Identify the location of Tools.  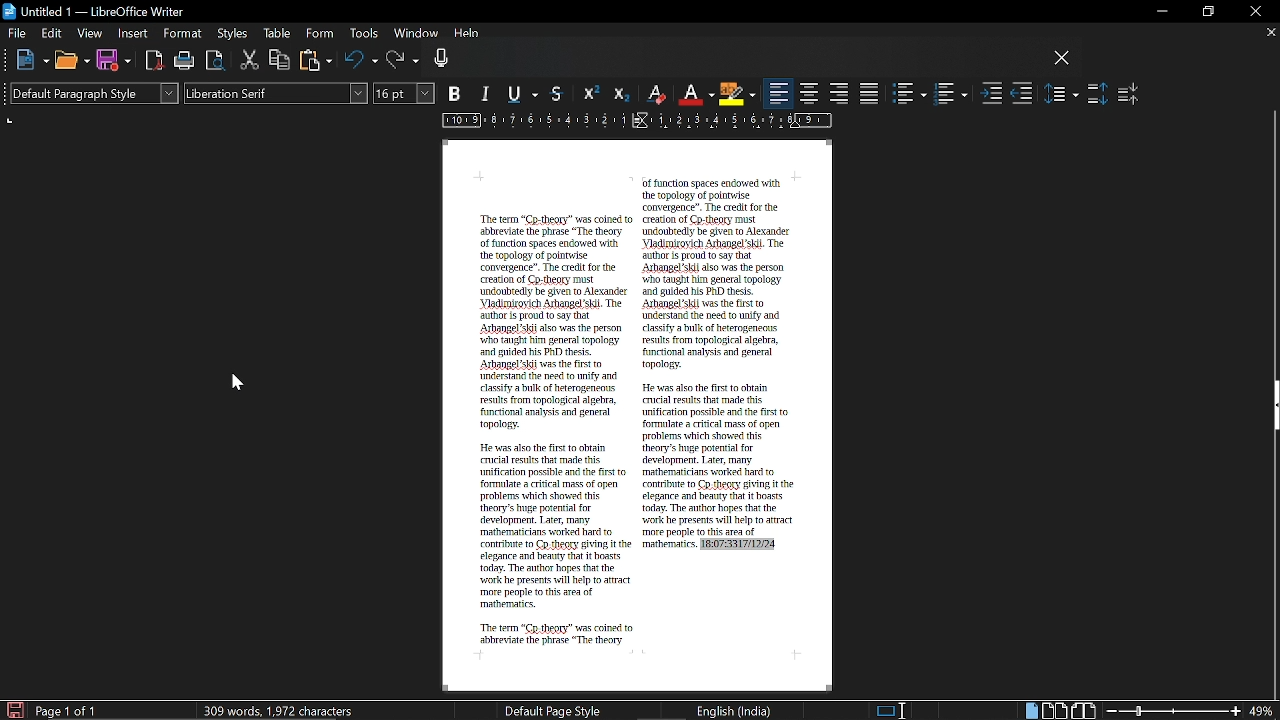
(362, 35).